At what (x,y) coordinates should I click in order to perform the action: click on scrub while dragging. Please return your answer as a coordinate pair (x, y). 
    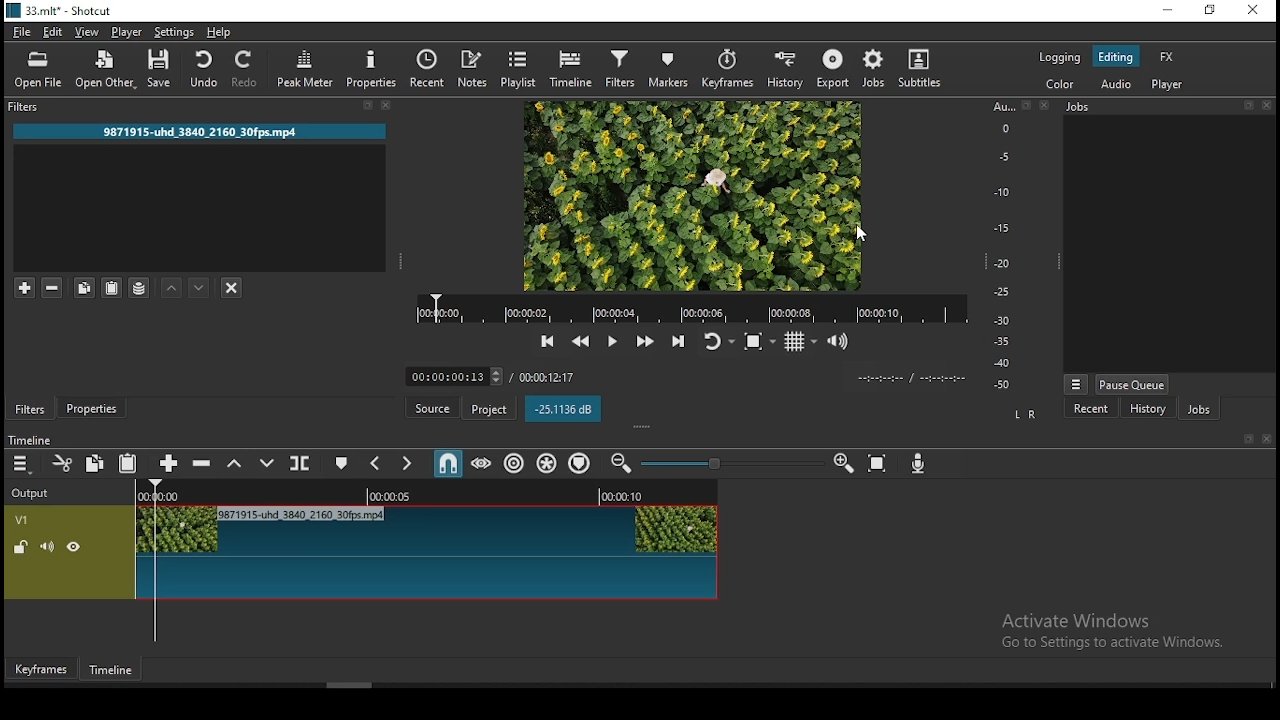
    Looking at the image, I should click on (482, 464).